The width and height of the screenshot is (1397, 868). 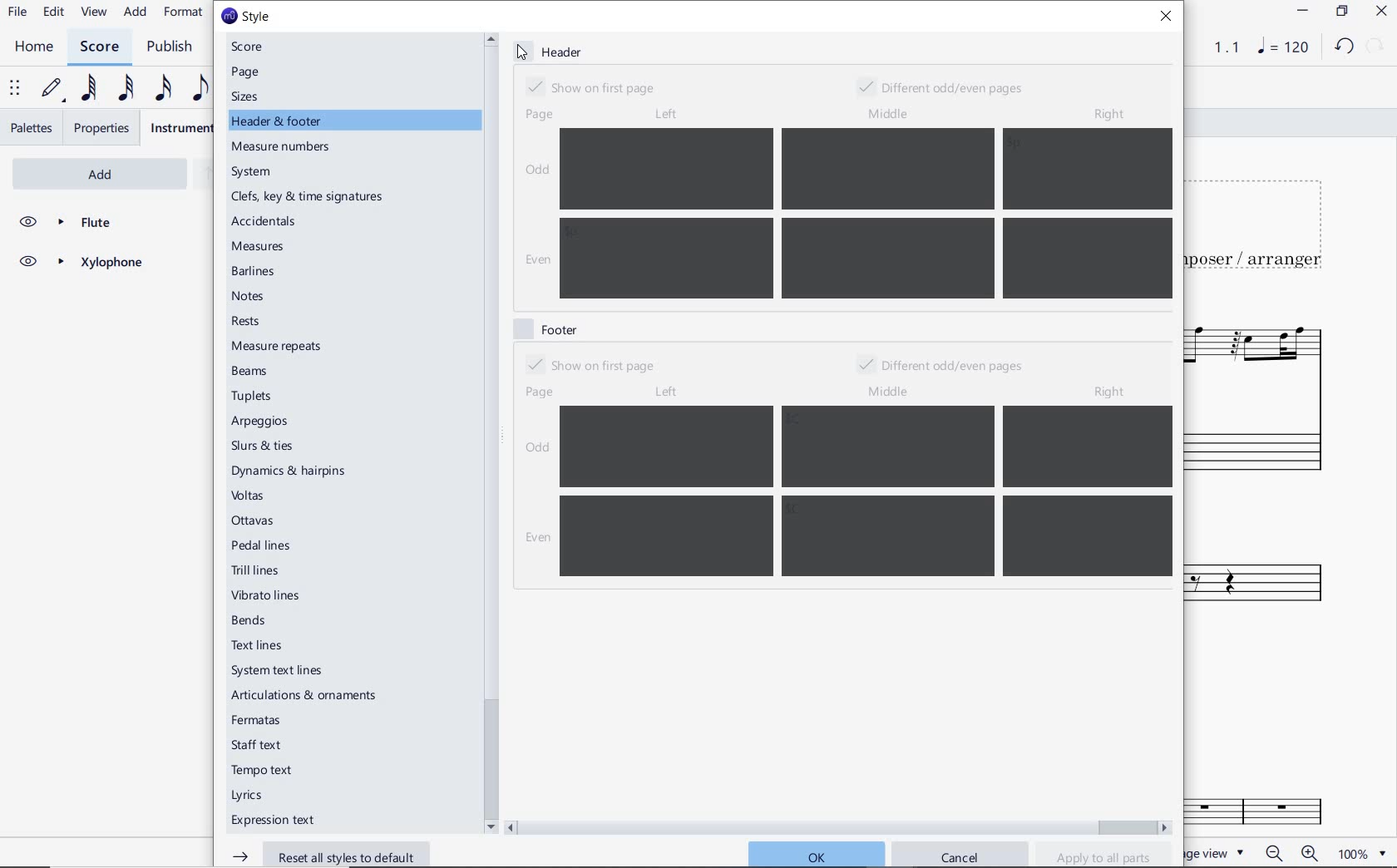 What do you see at coordinates (98, 46) in the screenshot?
I see `SCORE` at bounding box center [98, 46].